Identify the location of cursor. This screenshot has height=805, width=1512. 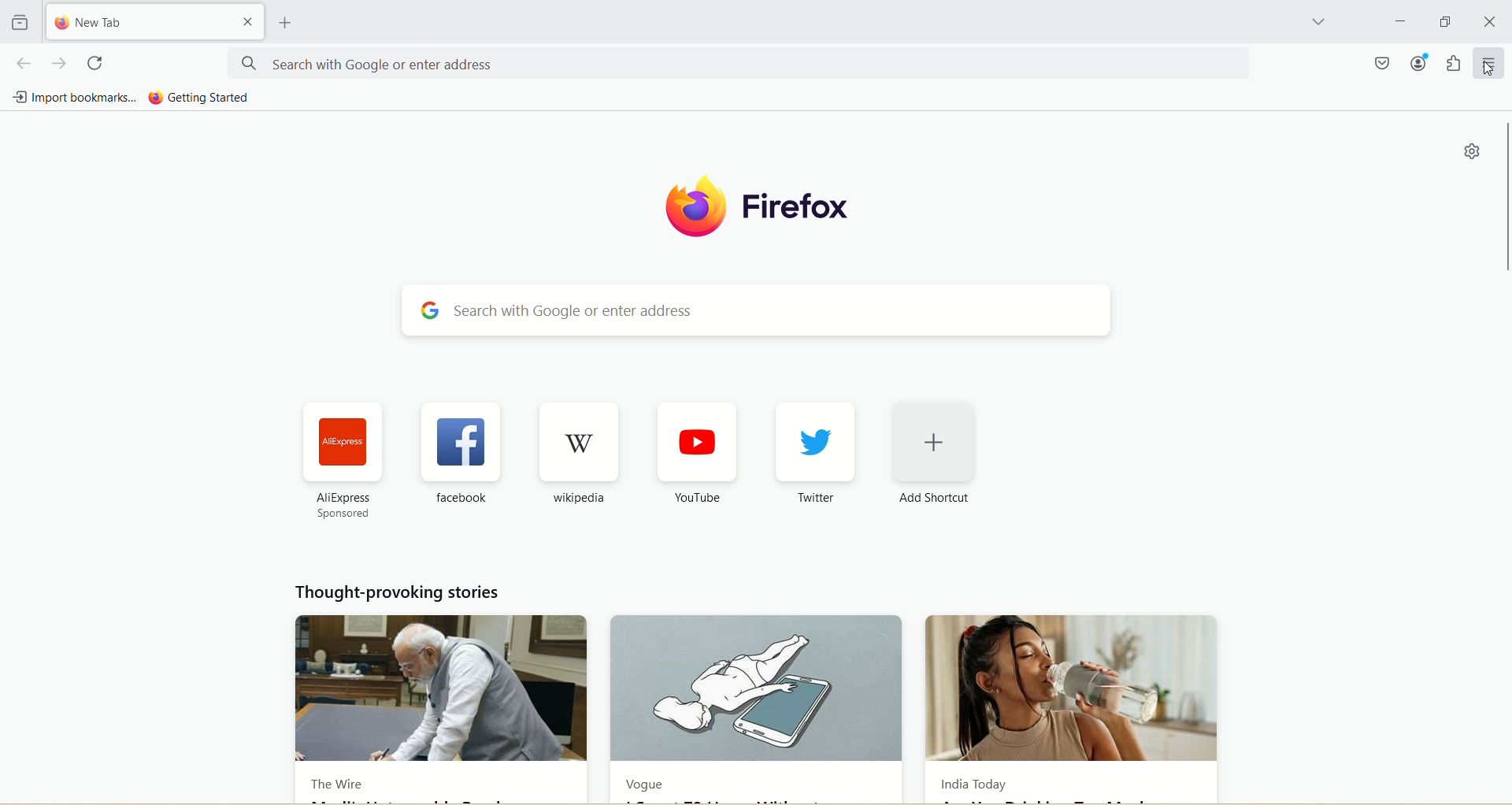
(1487, 67).